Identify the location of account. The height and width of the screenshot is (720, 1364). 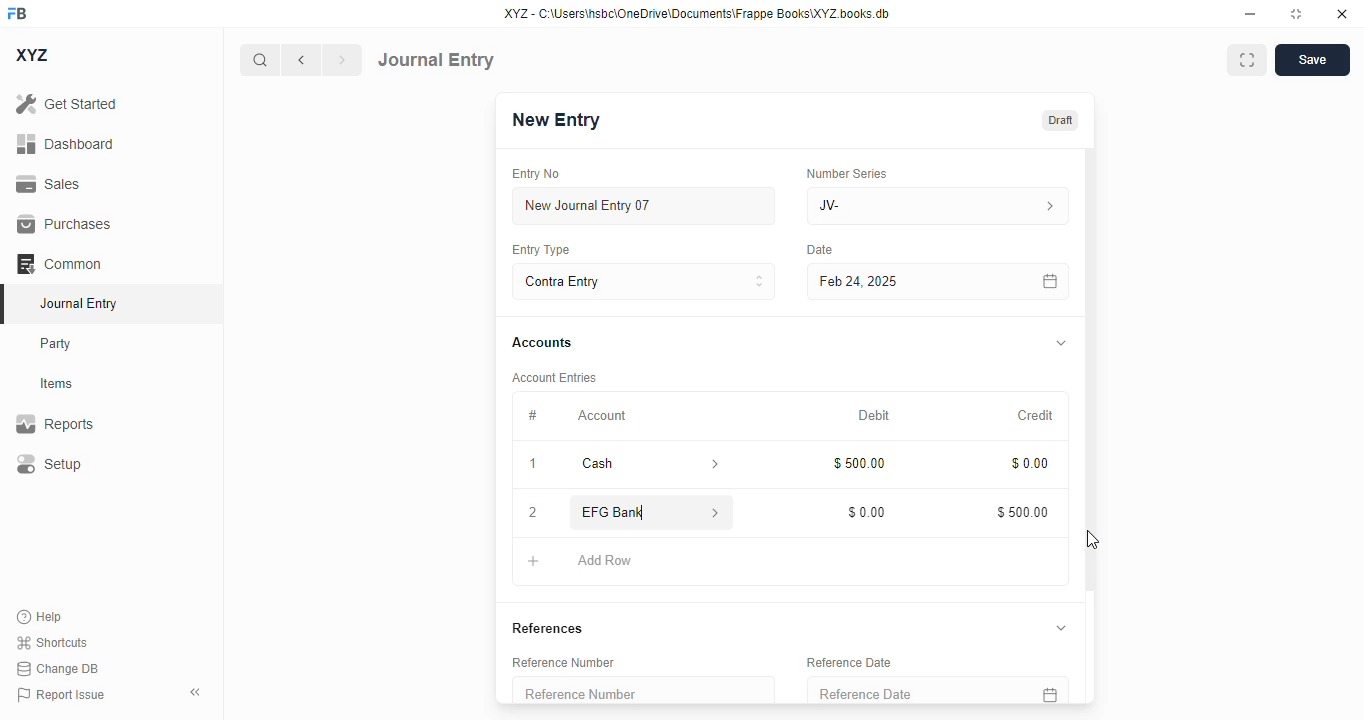
(602, 416).